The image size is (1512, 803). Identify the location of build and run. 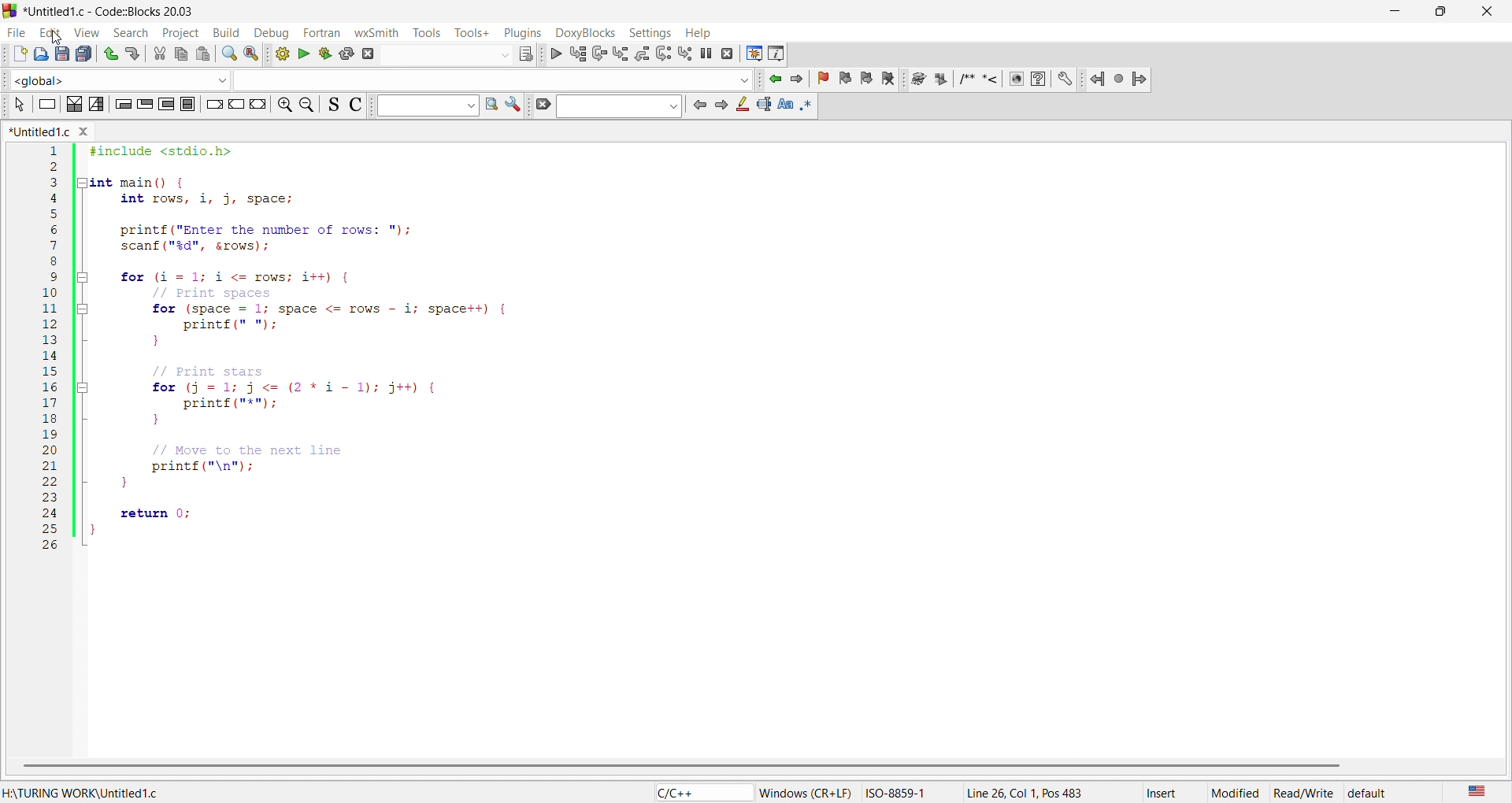
(321, 54).